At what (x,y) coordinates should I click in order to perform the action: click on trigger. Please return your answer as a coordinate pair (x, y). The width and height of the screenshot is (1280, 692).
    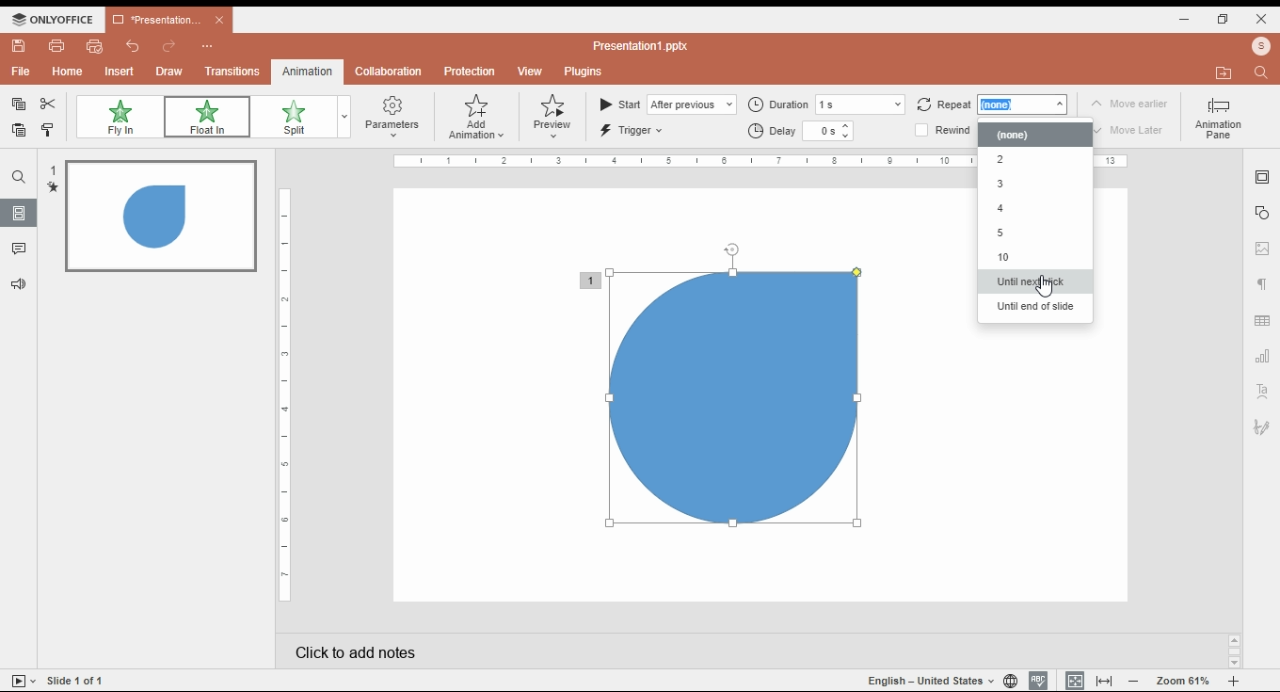
    Looking at the image, I should click on (634, 130).